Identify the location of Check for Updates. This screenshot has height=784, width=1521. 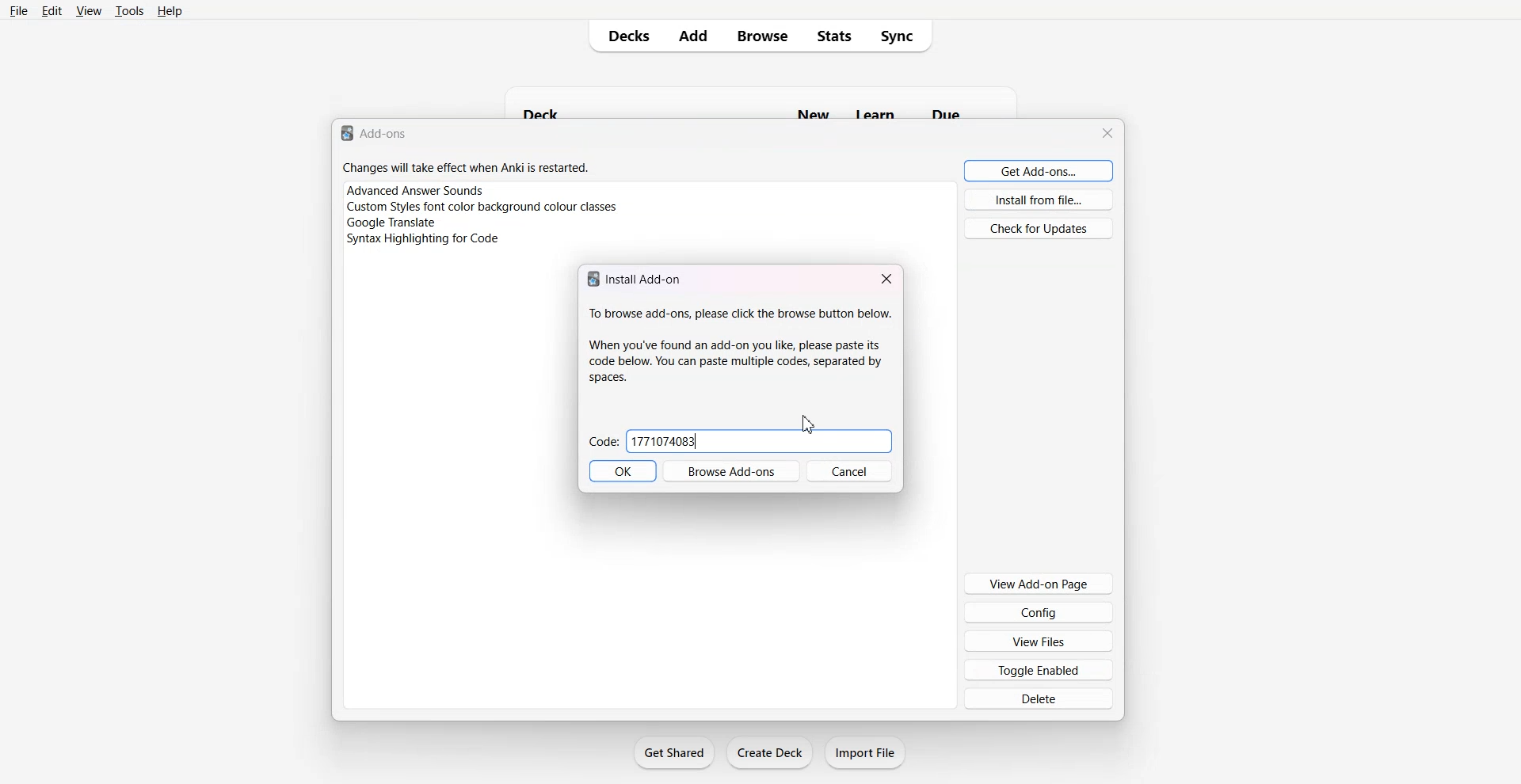
(1039, 228).